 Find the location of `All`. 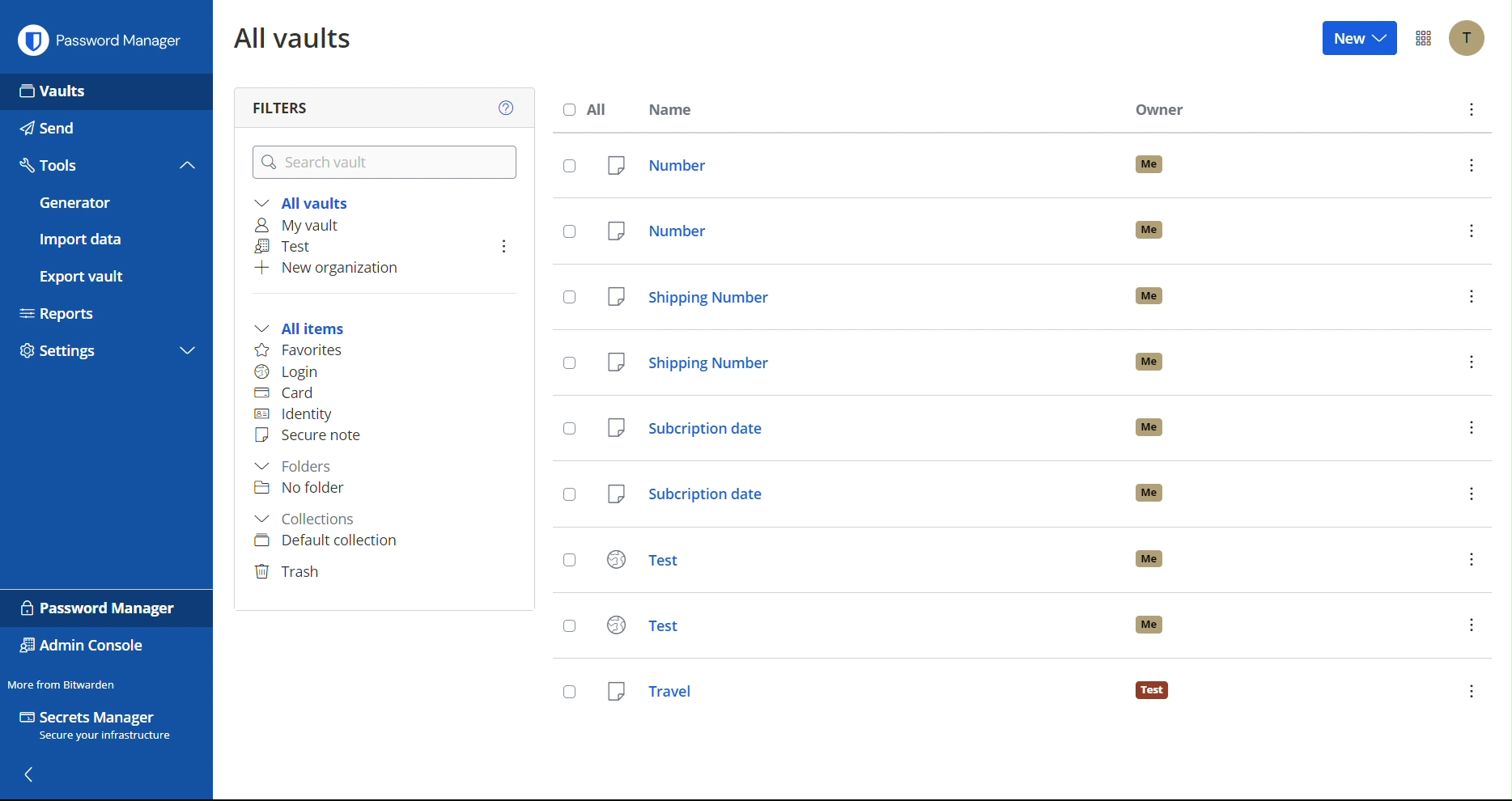

All is located at coordinates (590, 109).